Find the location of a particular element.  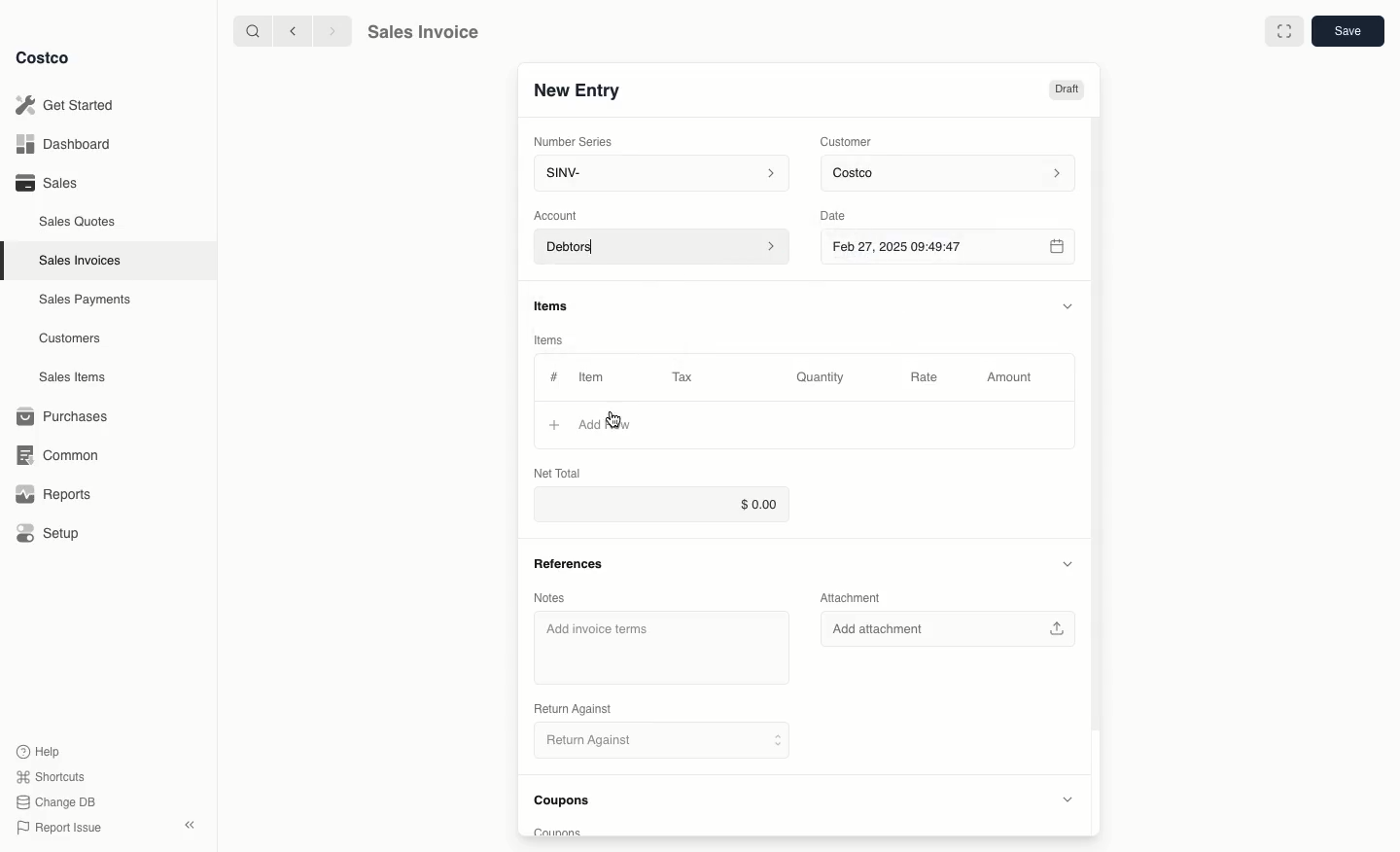

Items is located at coordinates (552, 340).